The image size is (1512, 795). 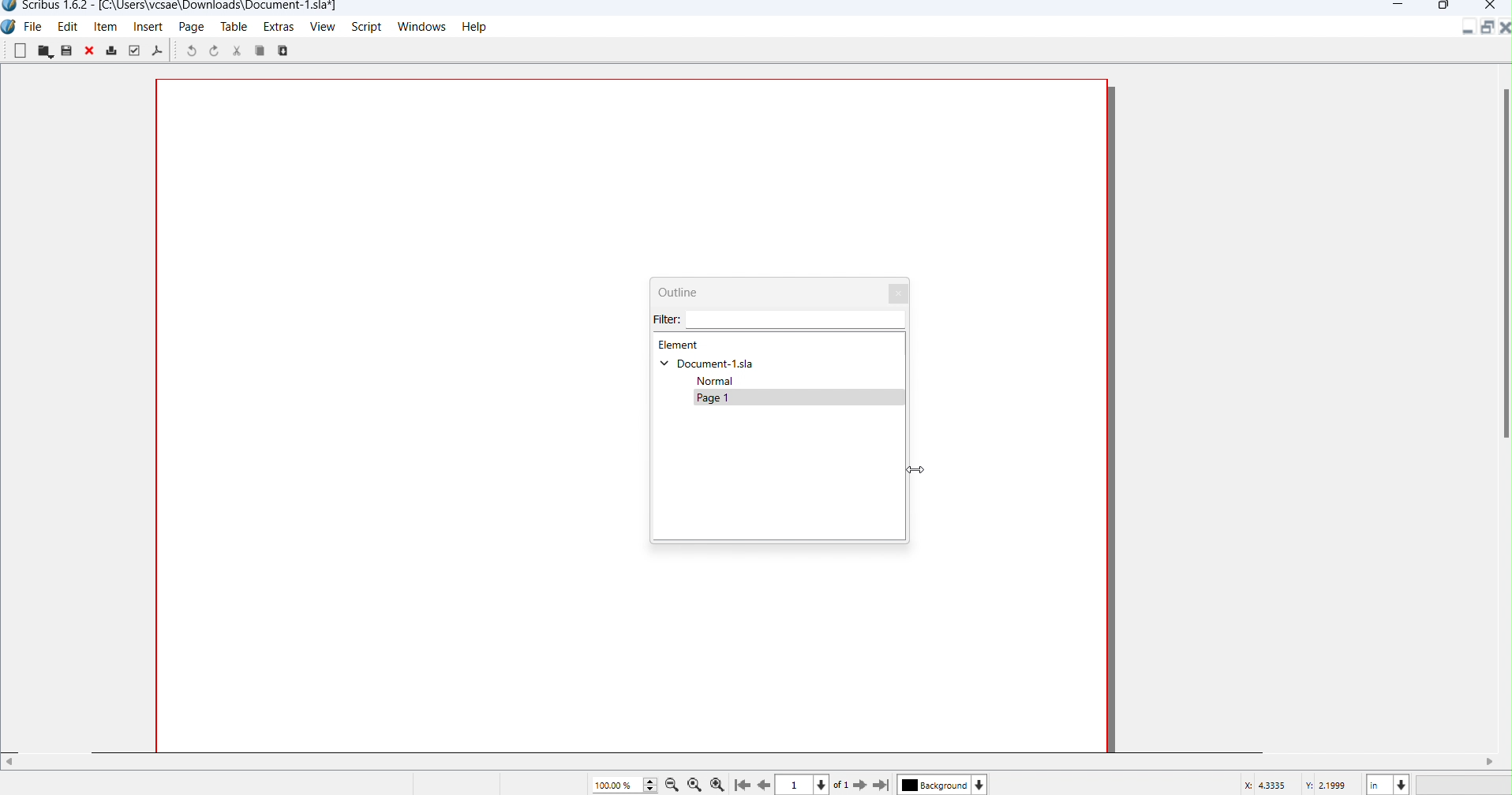 I want to click on , so click(x=91, y=50).